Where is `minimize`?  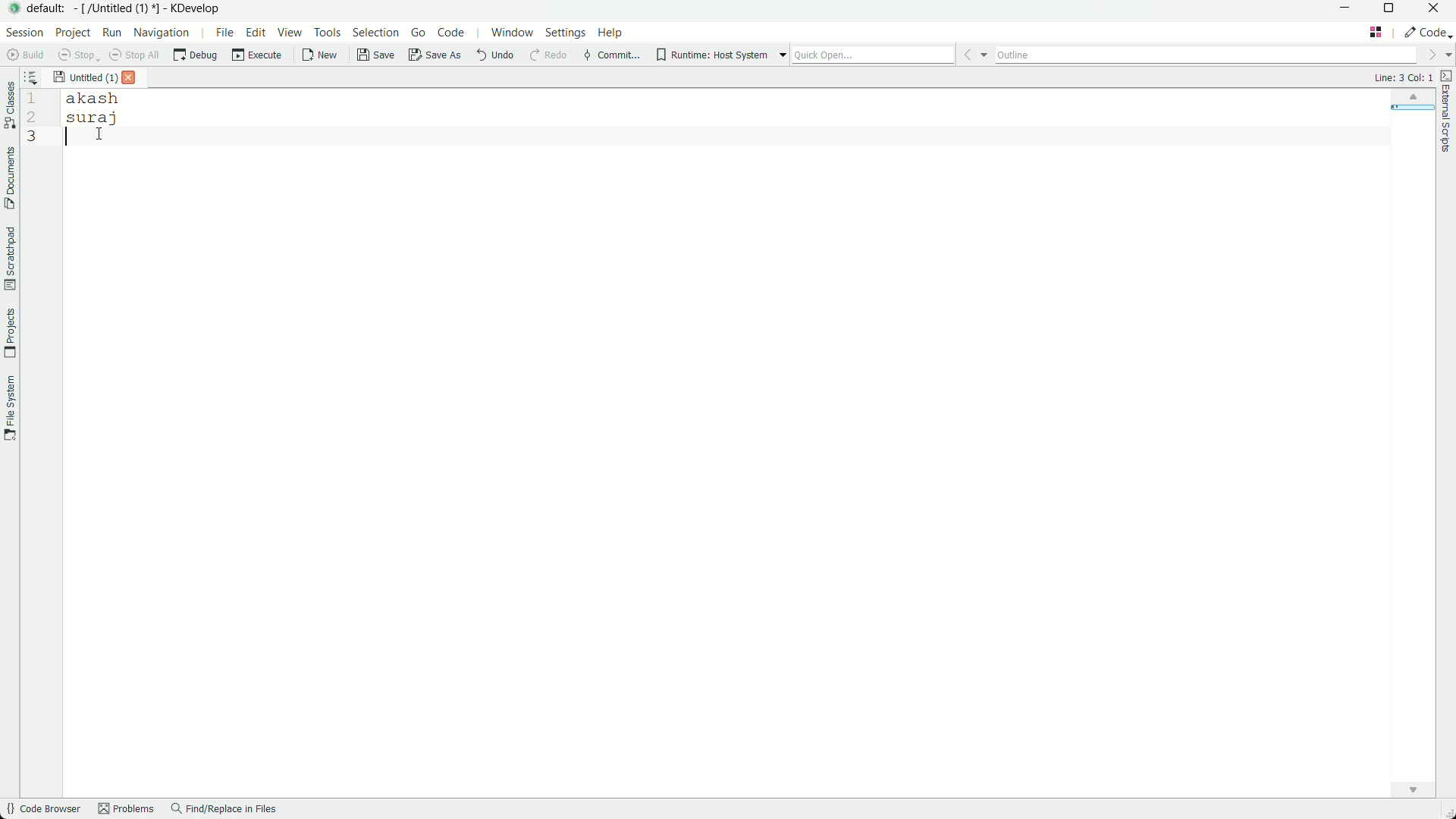
minimize is located at coordinates (1345, 11).